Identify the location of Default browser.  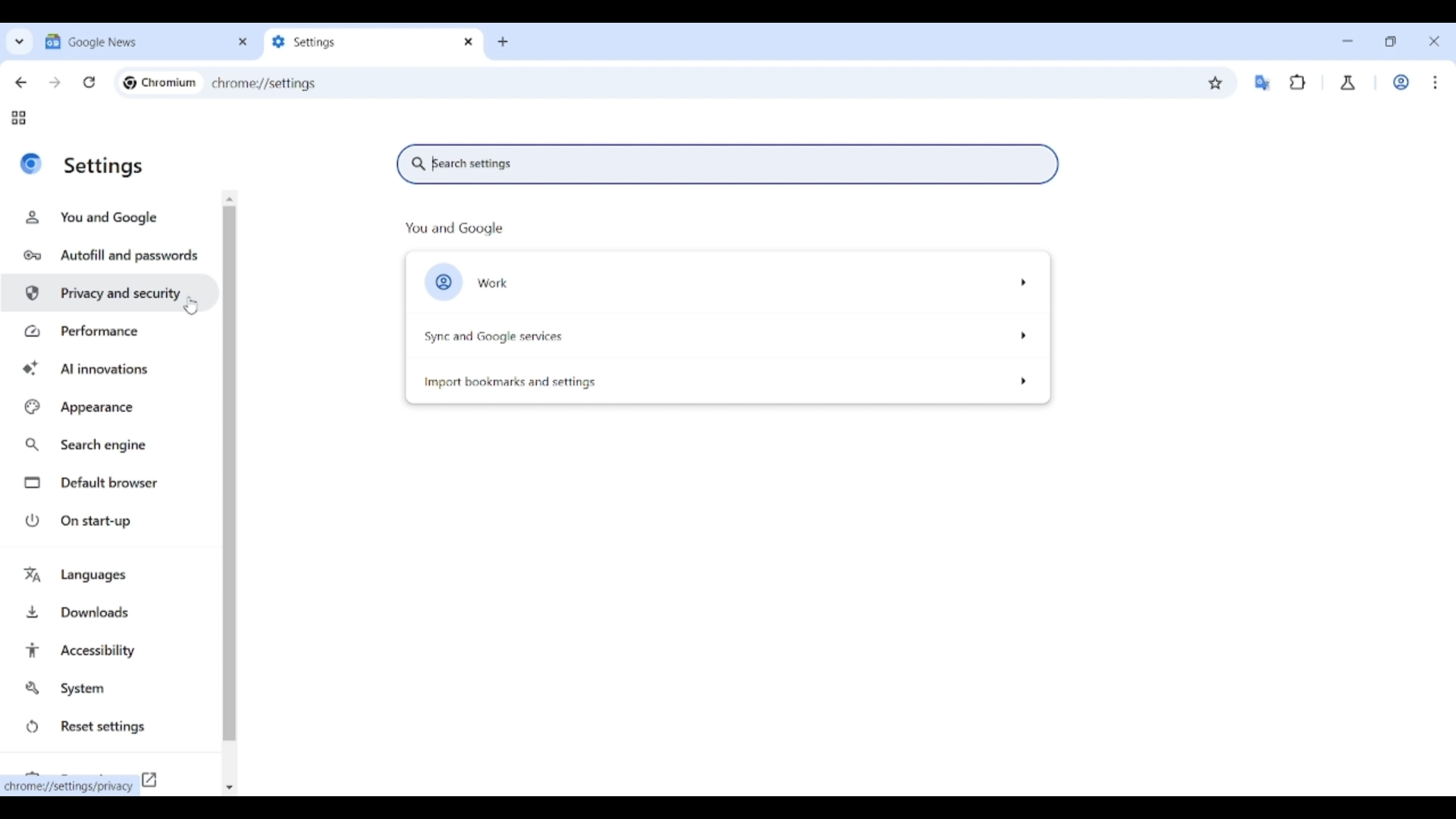
(112, 483).